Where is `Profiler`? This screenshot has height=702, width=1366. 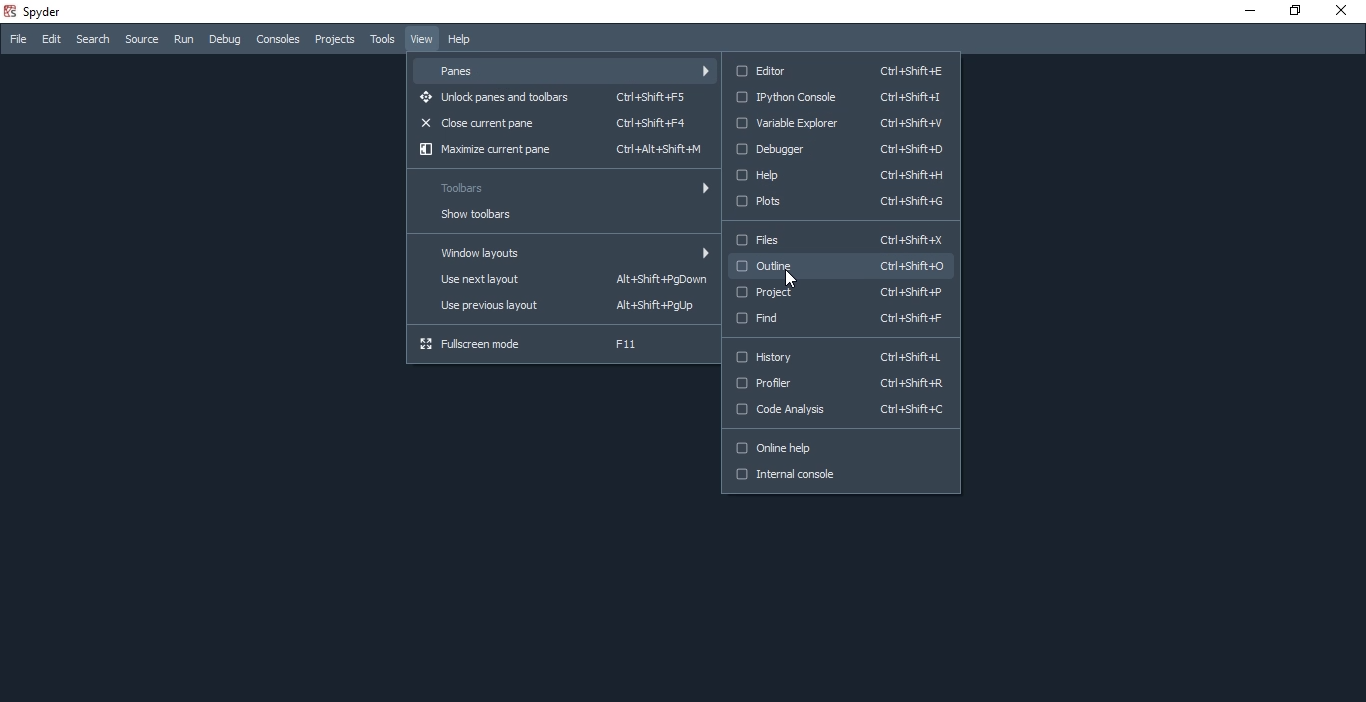 Profiler is located at coordinates (839, 383).